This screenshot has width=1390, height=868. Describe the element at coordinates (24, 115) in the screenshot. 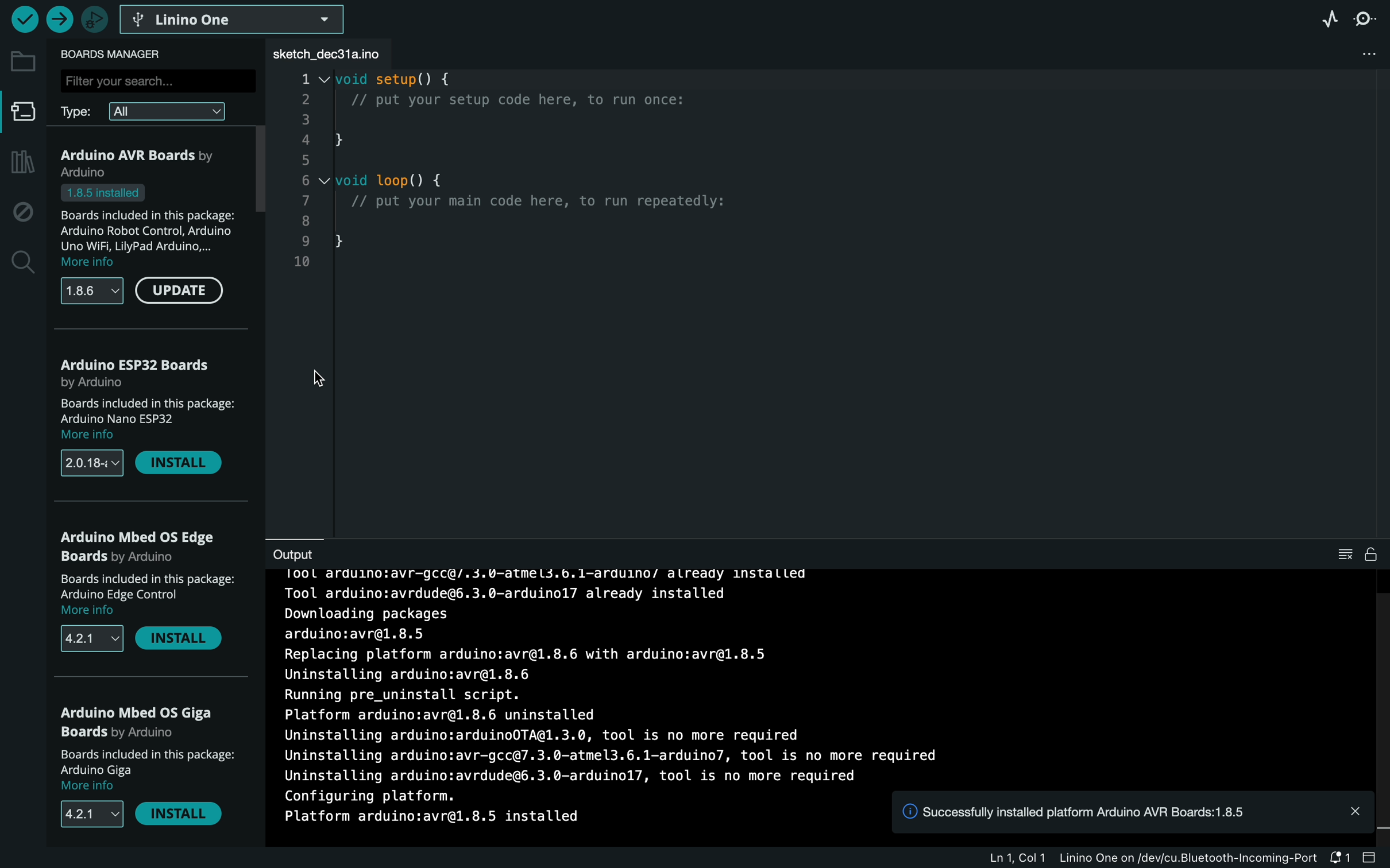

I see `board manager` at that location.